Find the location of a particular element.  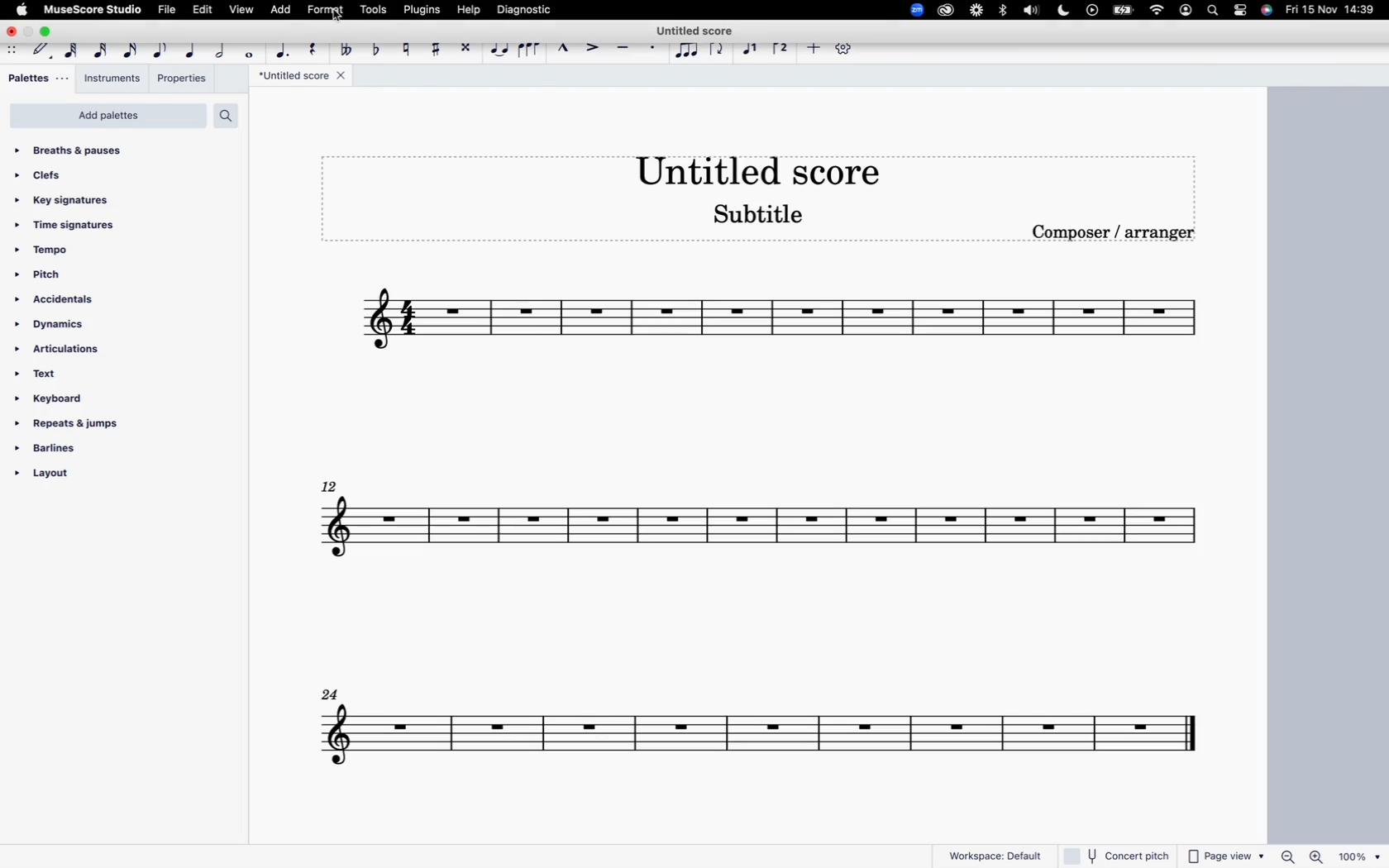

rest is located at coordinates (314, 51).